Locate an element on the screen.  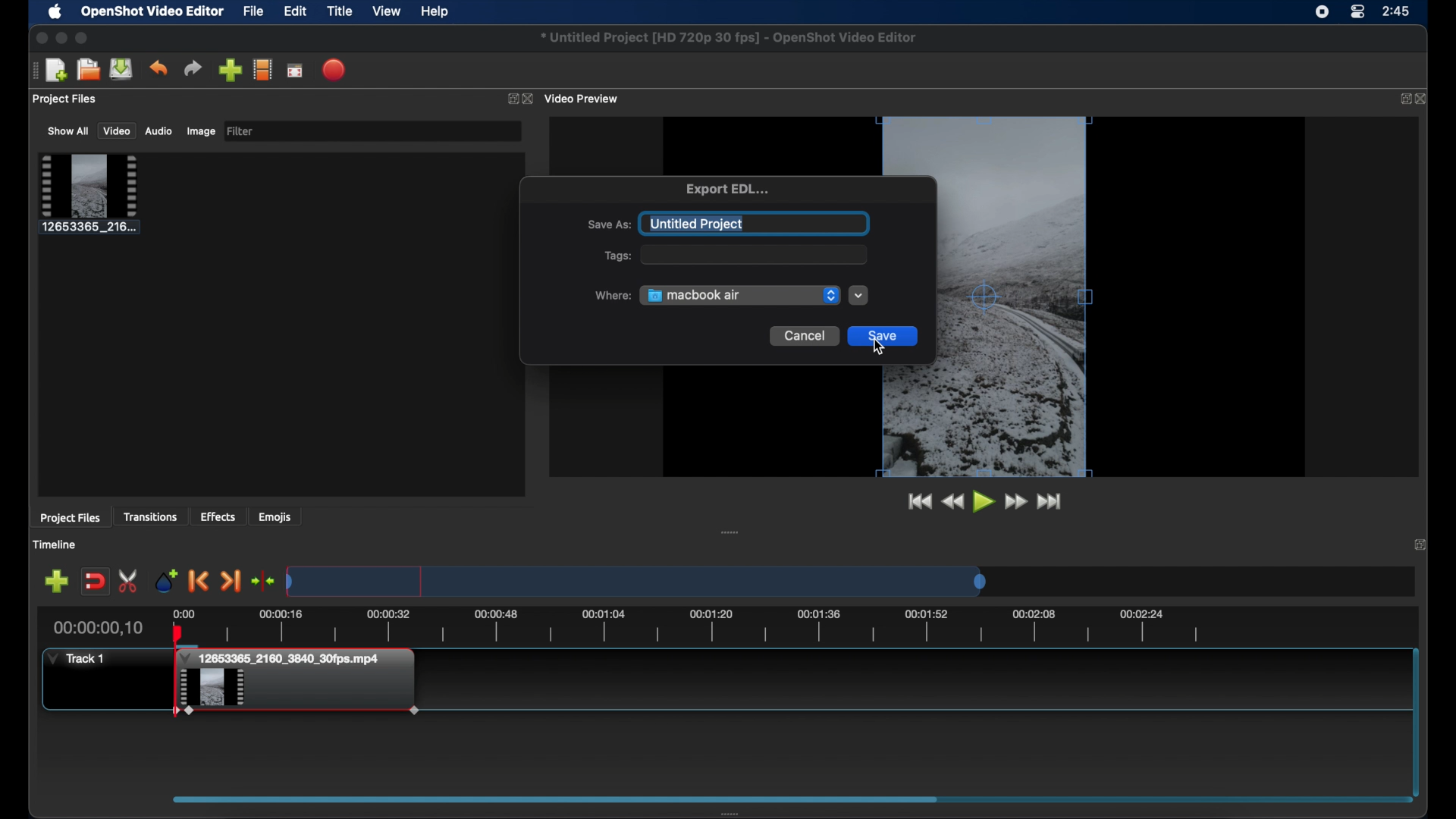
redo is located at coordinates (193, 67).